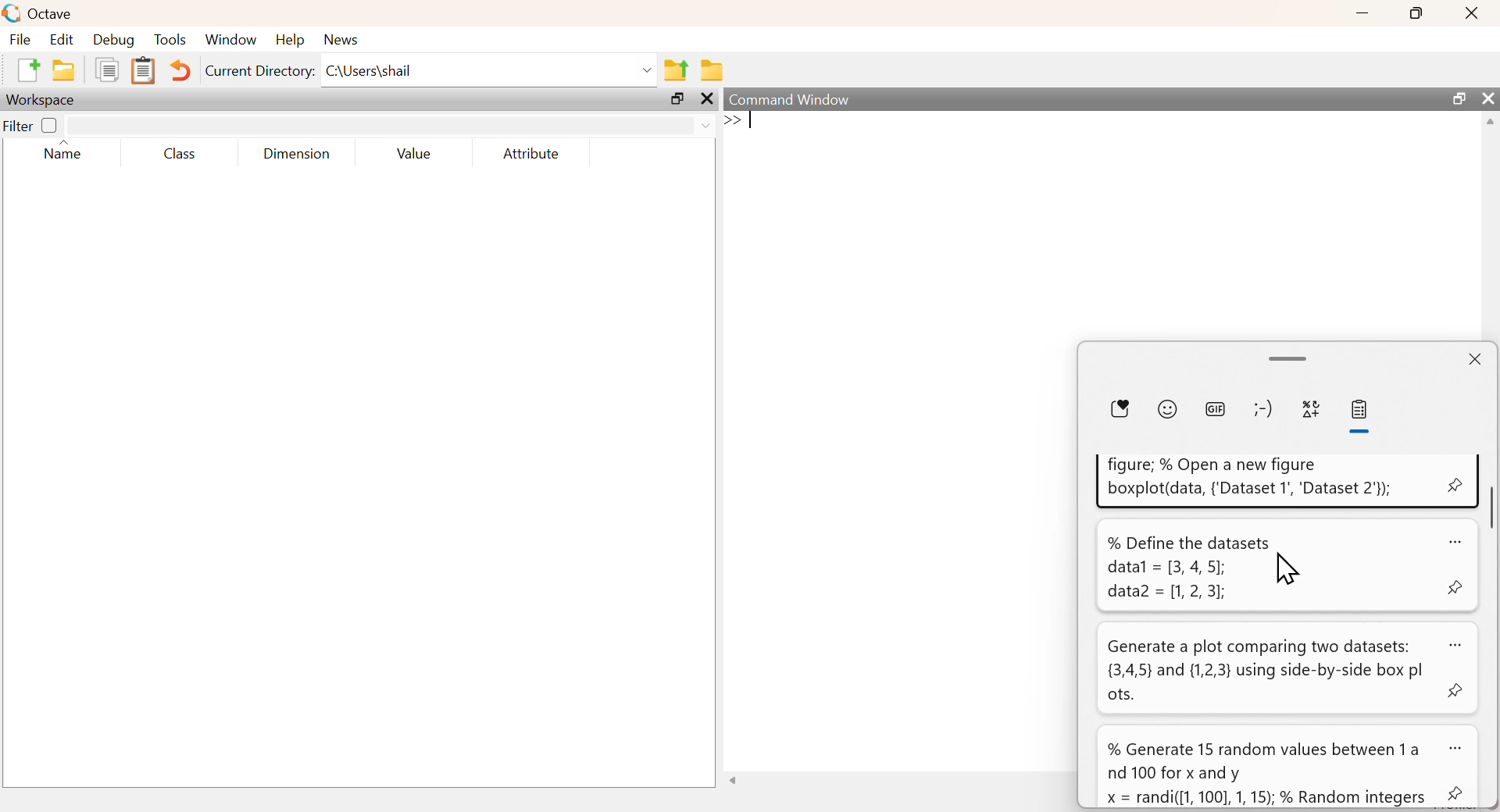 This screenshot has width=1500, height=812. Describe the element at coordinates (342, 39) in the screenshot. I see `News` at that location.